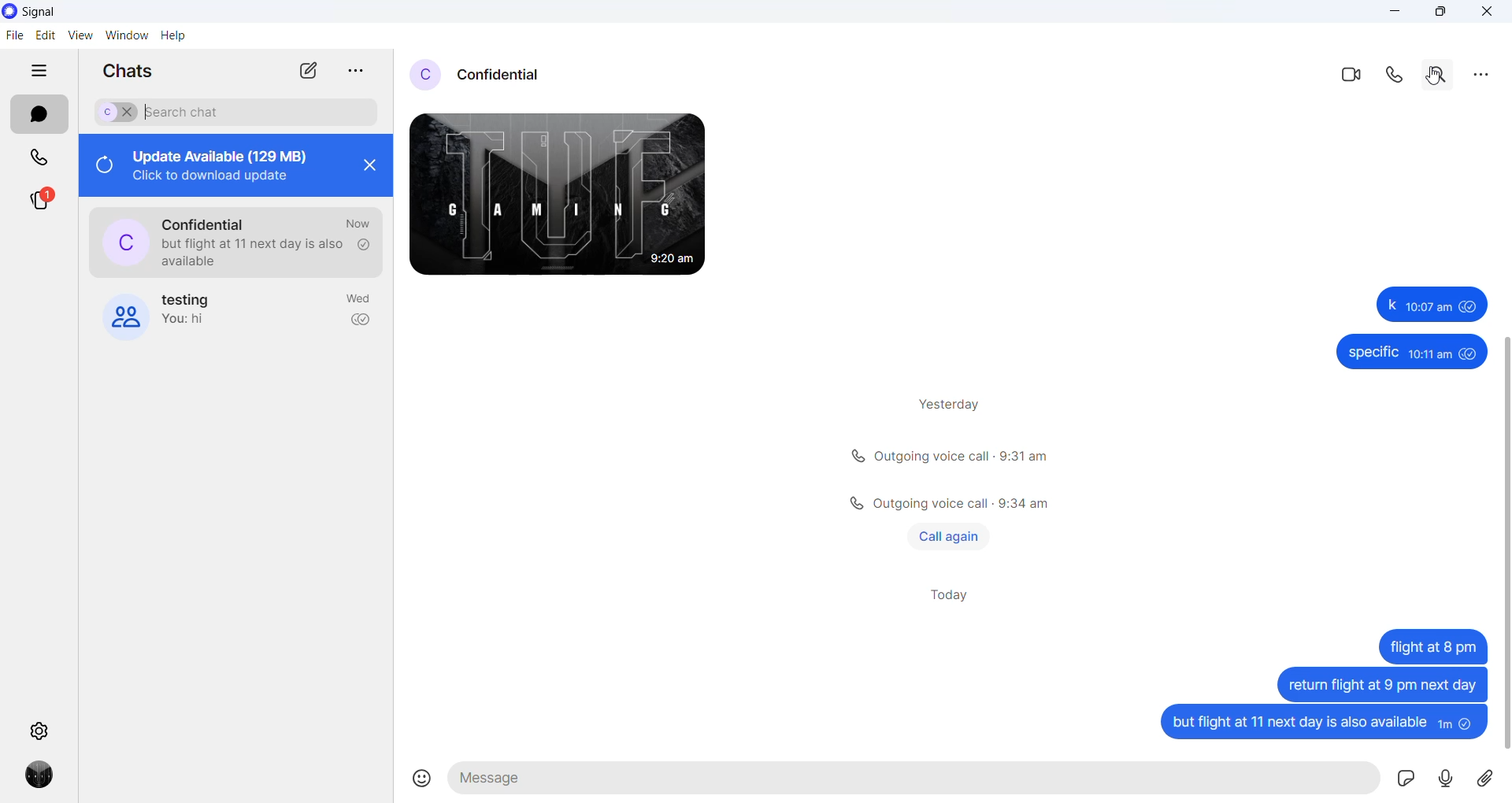 The width and height of the screenshot is (1512, 803). I want to click on read recipient, so click(363, 245).